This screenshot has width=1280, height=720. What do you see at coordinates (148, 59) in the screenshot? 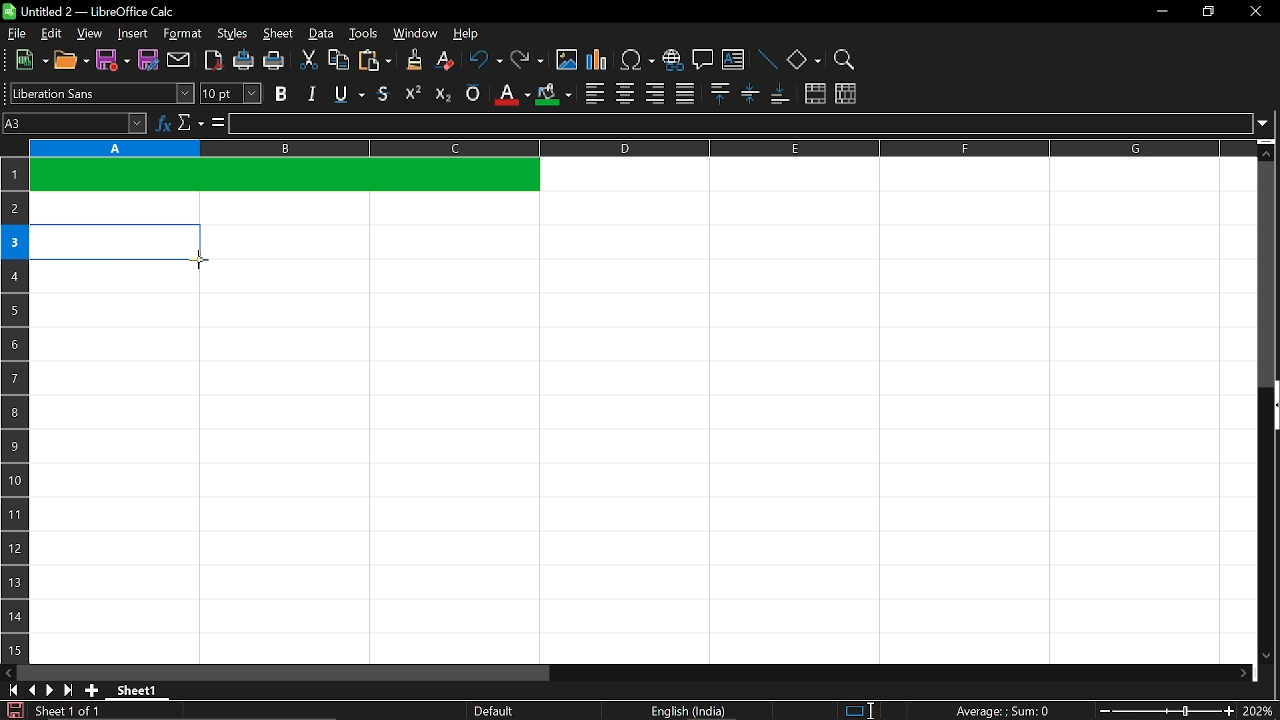
I see `save as` at bounding box center [148, 59].